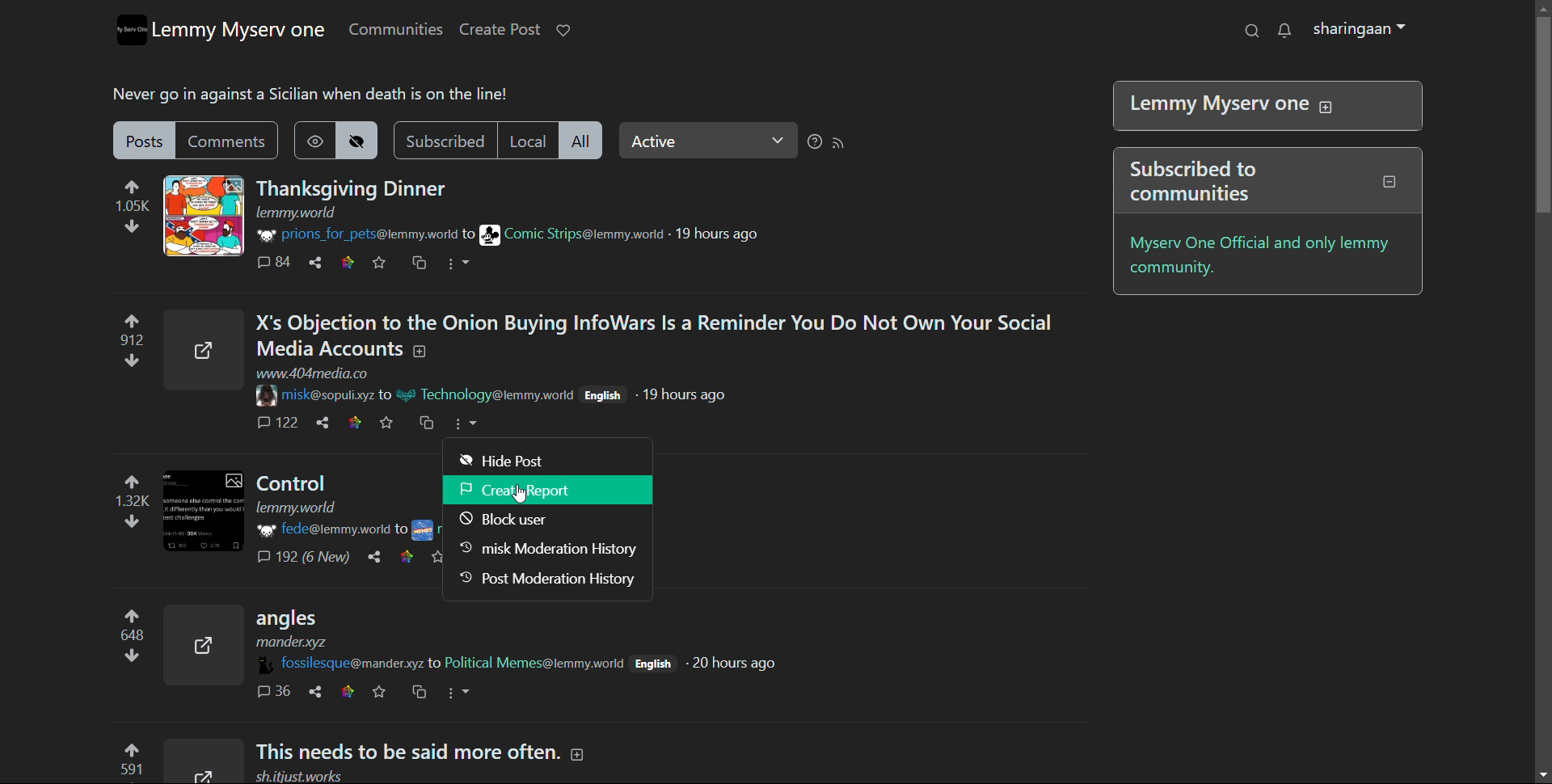  Describe the element at coordinates (501, 29) in the screenshot. I see `create post` at that location.